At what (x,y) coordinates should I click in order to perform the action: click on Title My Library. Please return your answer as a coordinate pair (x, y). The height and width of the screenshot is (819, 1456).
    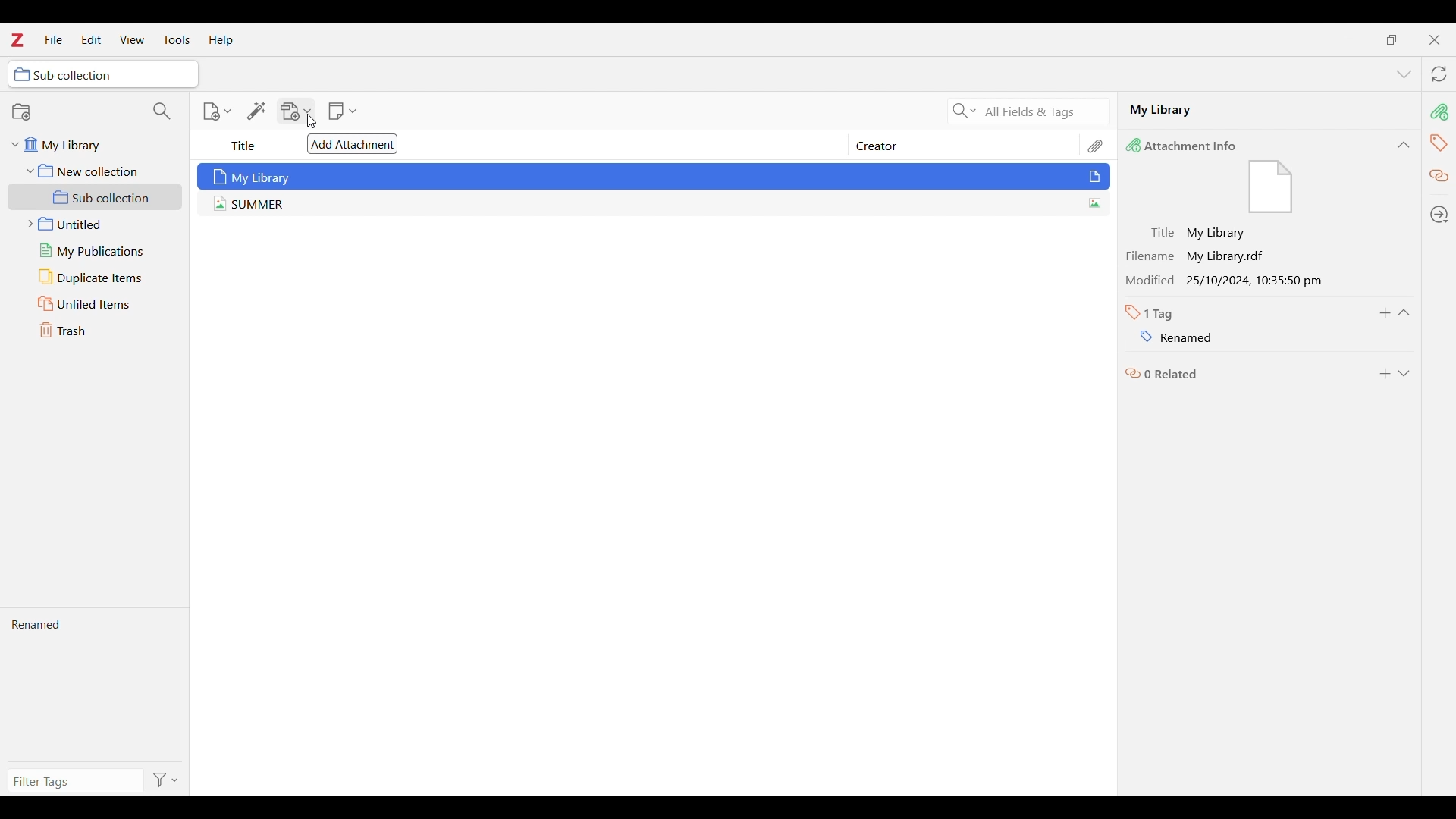
    Looking at the image, I should click on (1200, 230).